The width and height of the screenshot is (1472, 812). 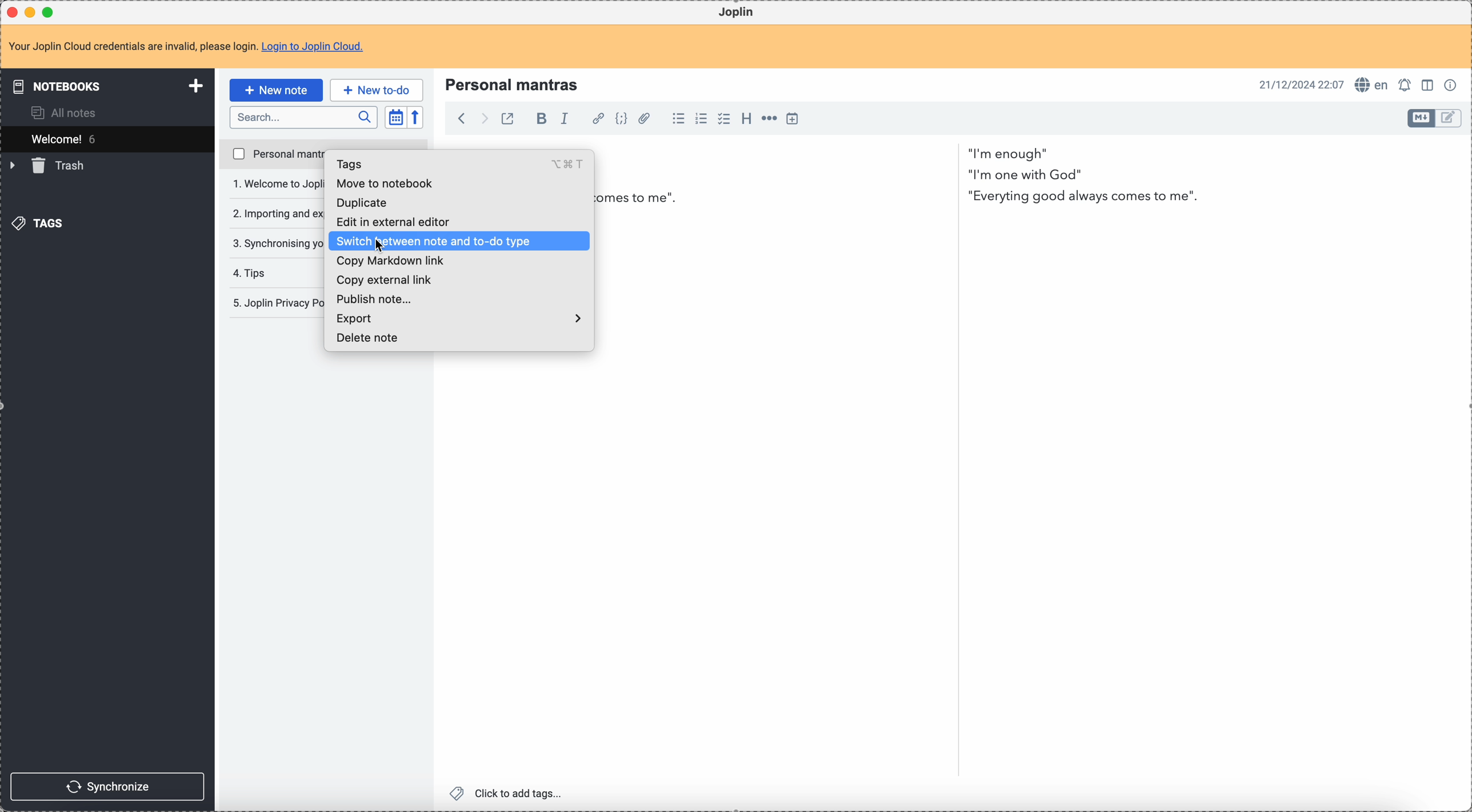 I want to click on maximize program, so click(x=49, y=11).